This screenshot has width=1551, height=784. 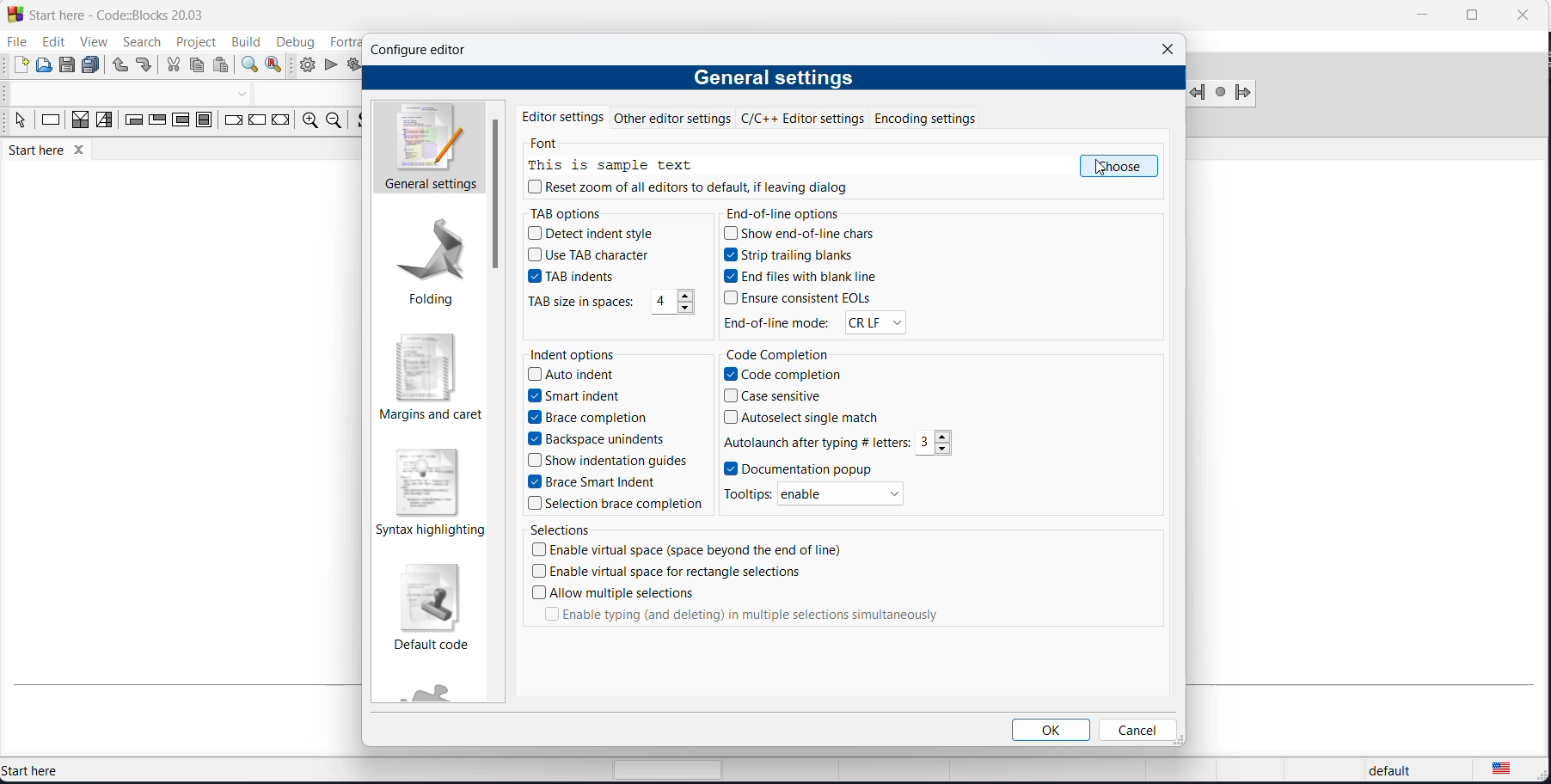 I want to click on view, so click(x=89, y=40).